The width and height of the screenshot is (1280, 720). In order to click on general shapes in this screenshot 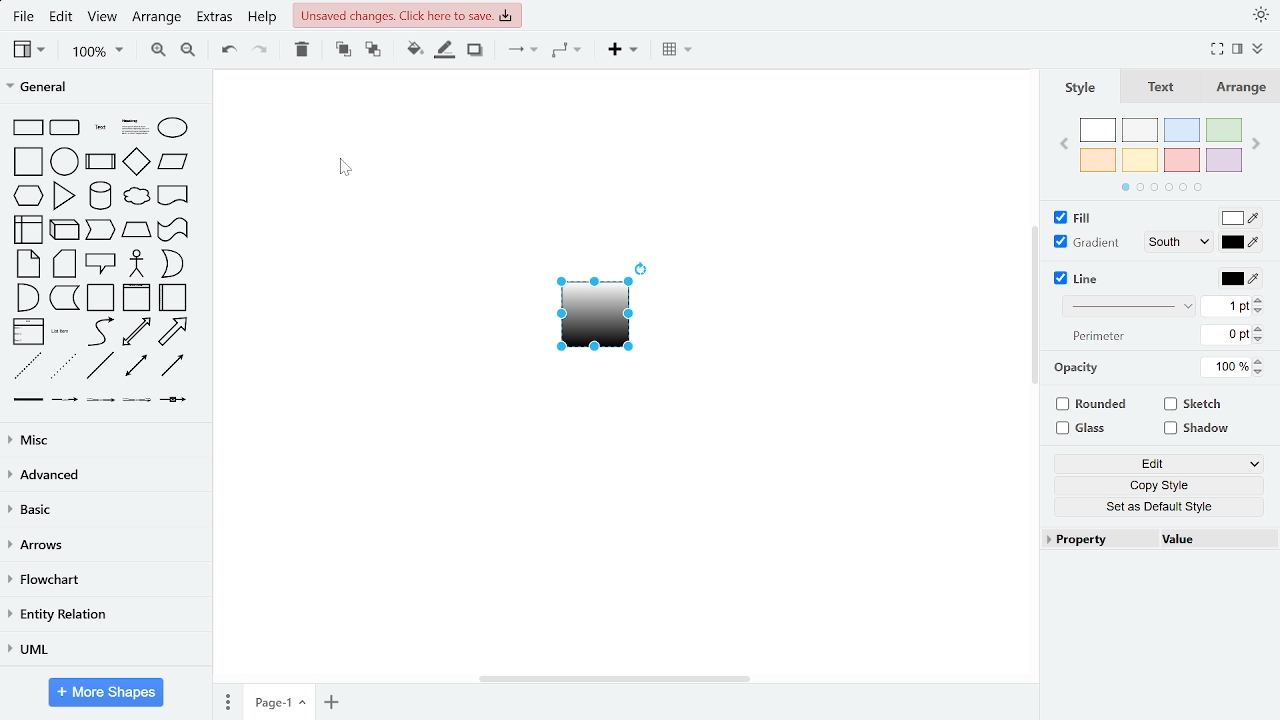, I will do `click(63, 263)`.